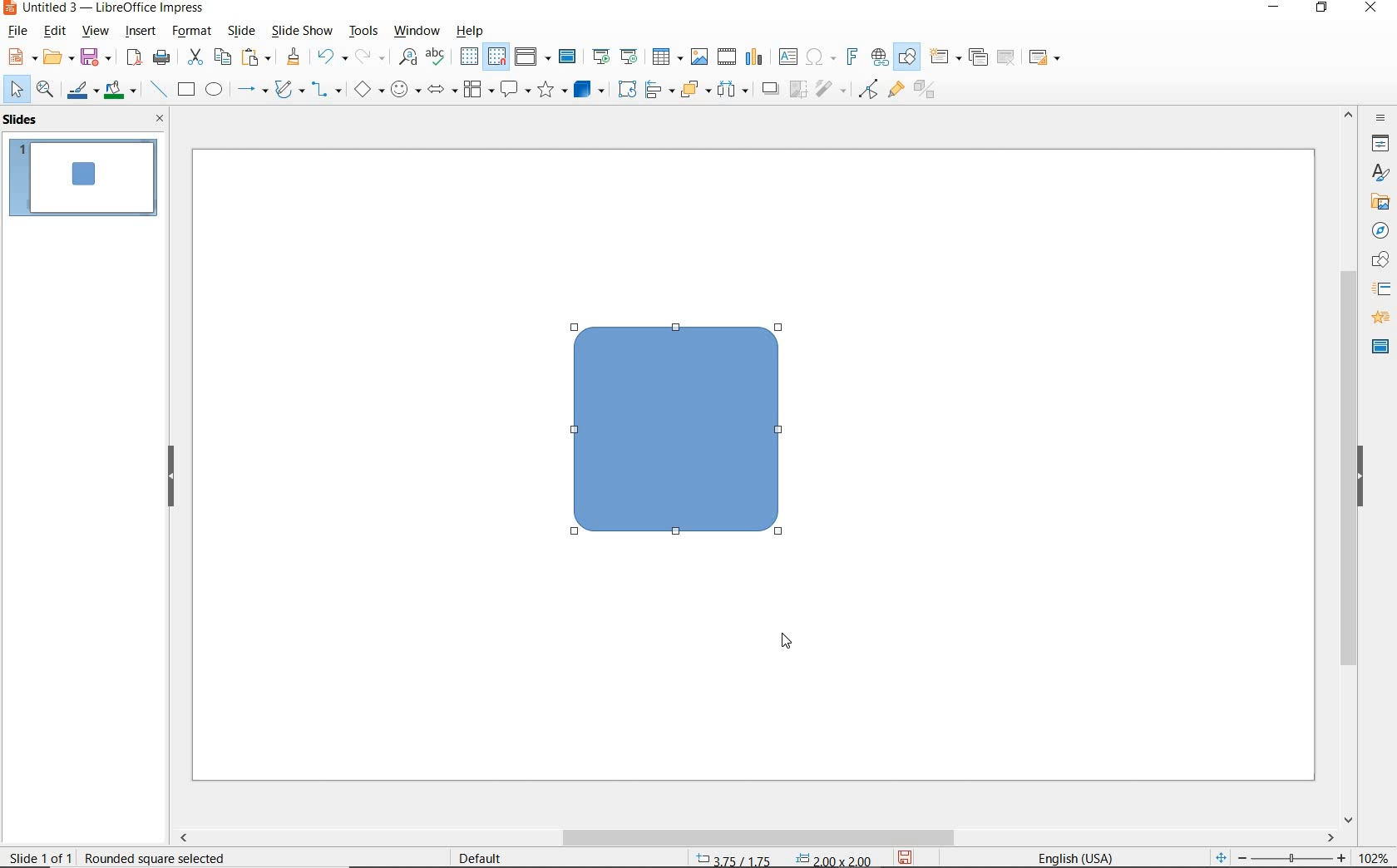 The image size is (1397, 868). What do you see at coordinates (945, 60) in the screenshot?
I see `new slide` at bounding box center [945, 60].